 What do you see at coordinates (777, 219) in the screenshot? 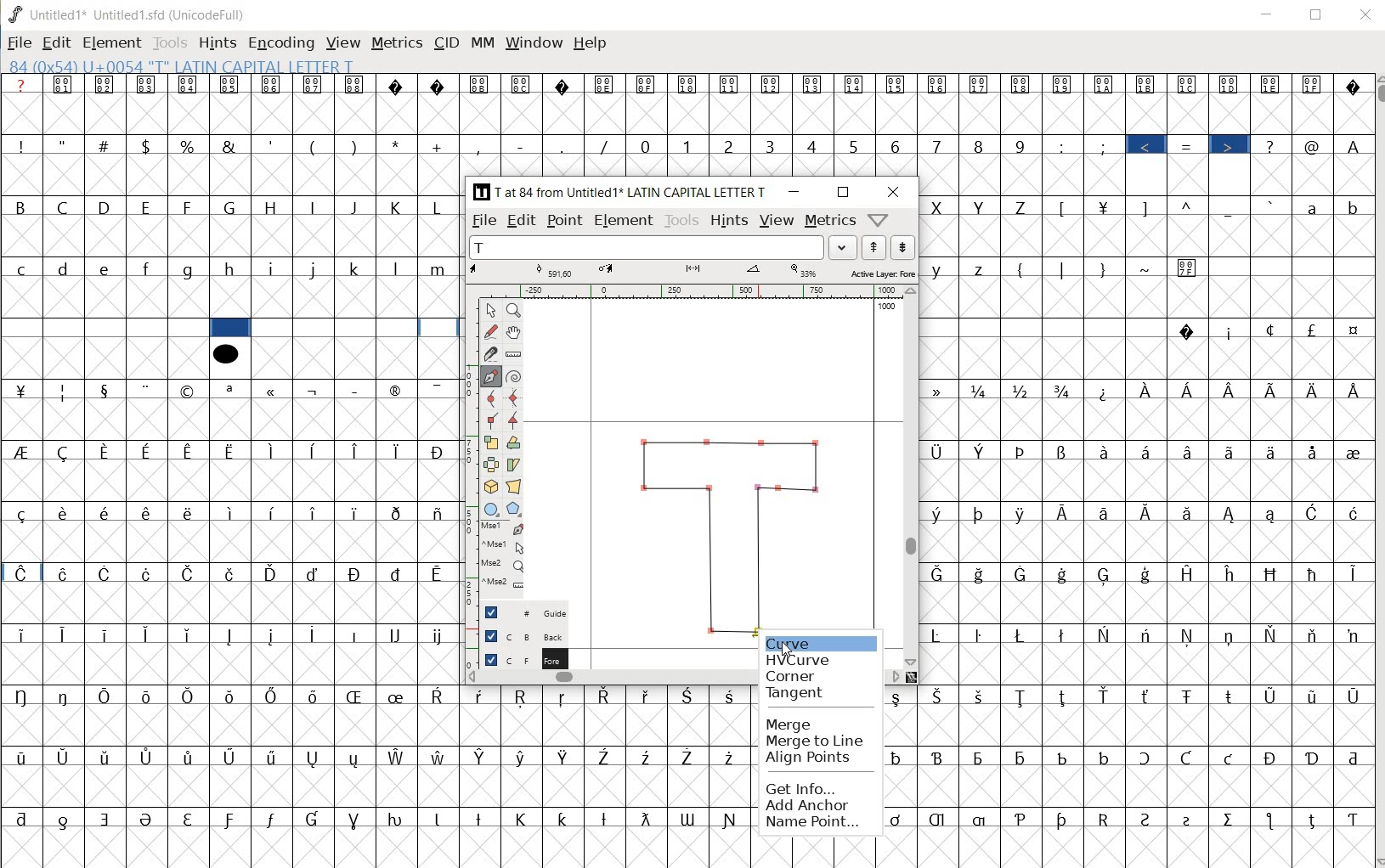
I see `view` at bounding box center [777, 219].